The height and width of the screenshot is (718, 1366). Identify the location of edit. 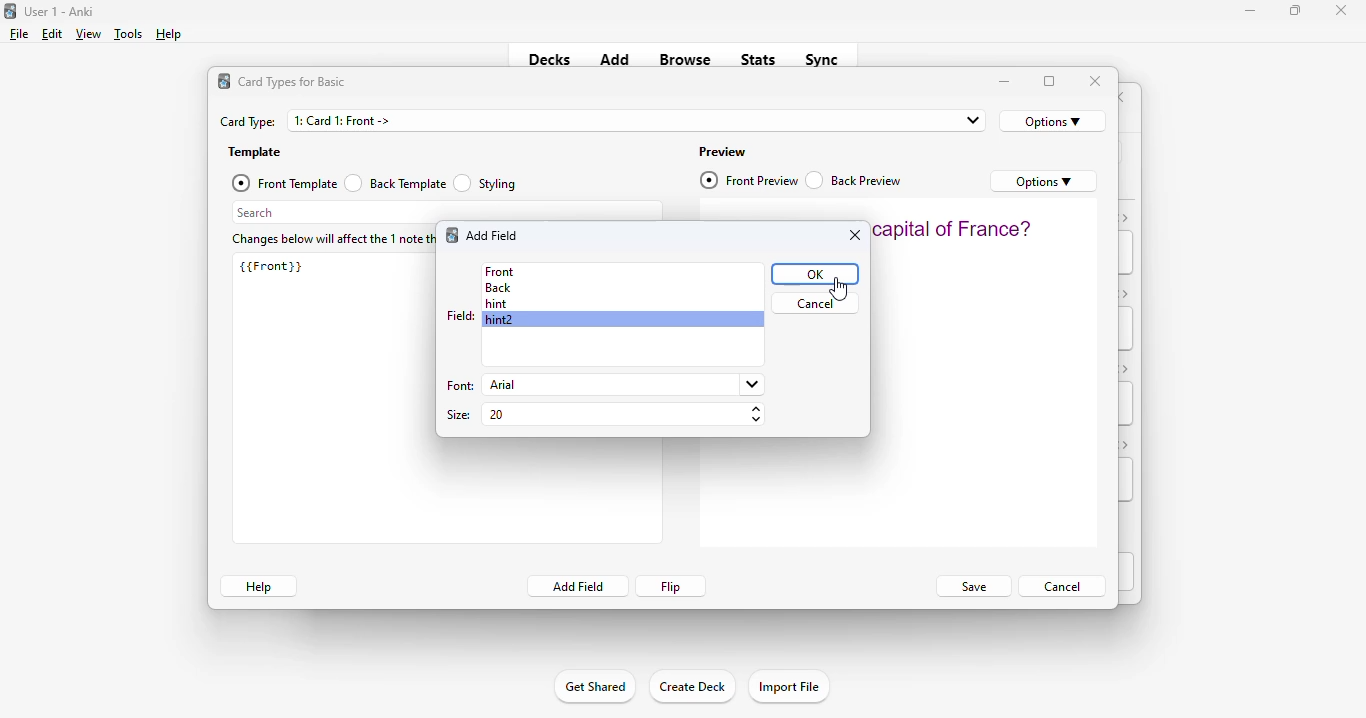
(52, 34).